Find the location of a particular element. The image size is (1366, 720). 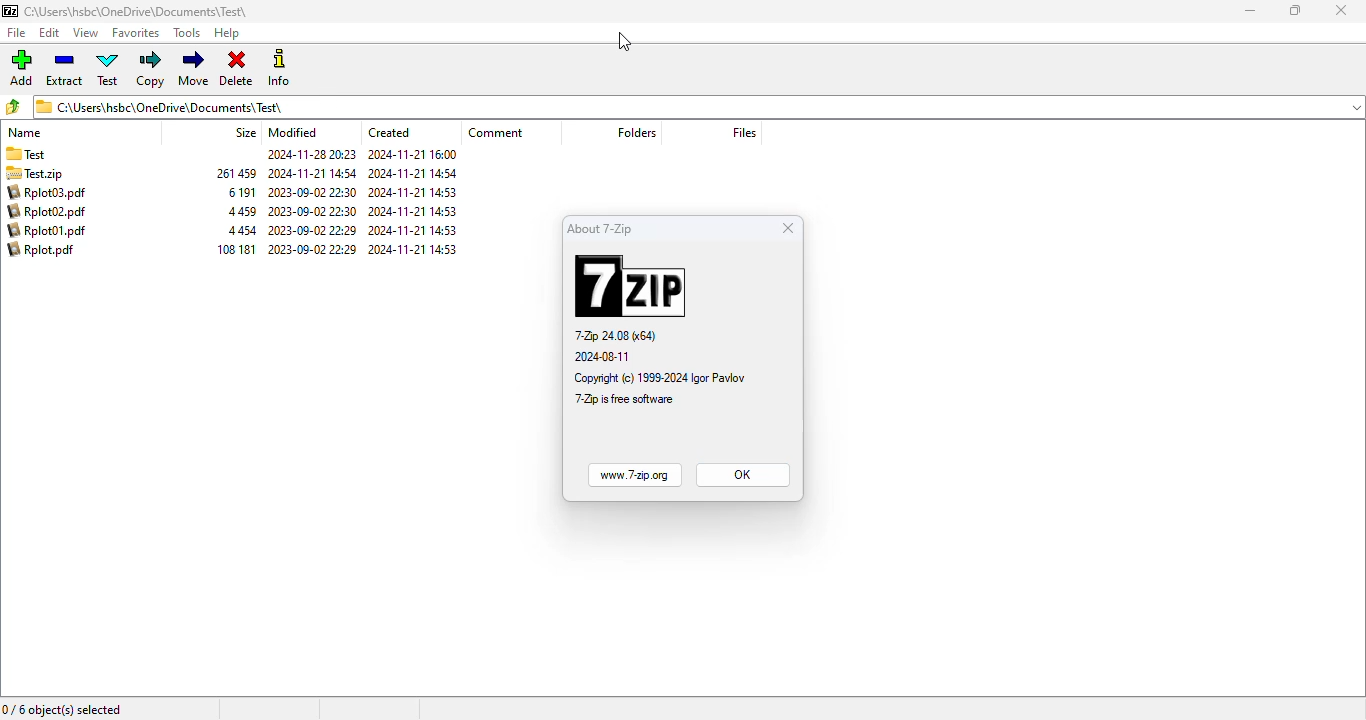

favorites is located at coordinates (135, 33).